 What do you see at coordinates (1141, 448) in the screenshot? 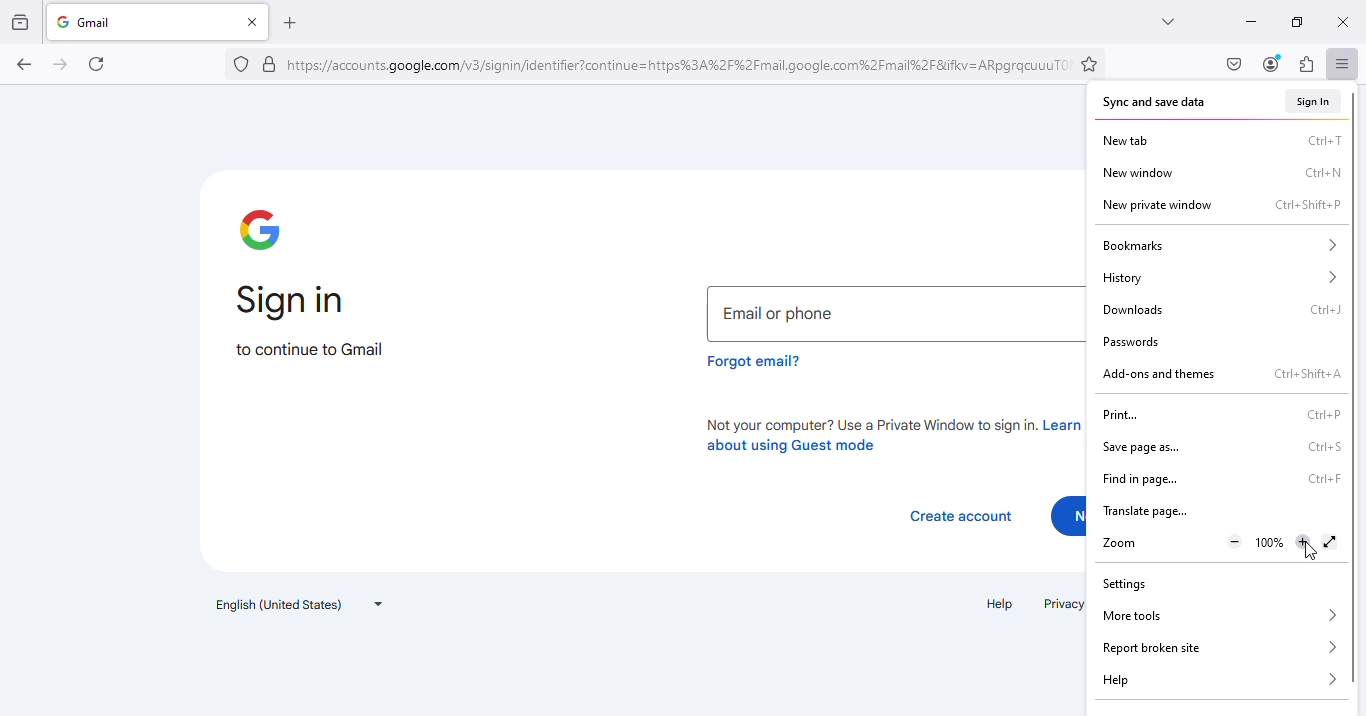
I see `save page as...` at bounding box center [1141, 448].